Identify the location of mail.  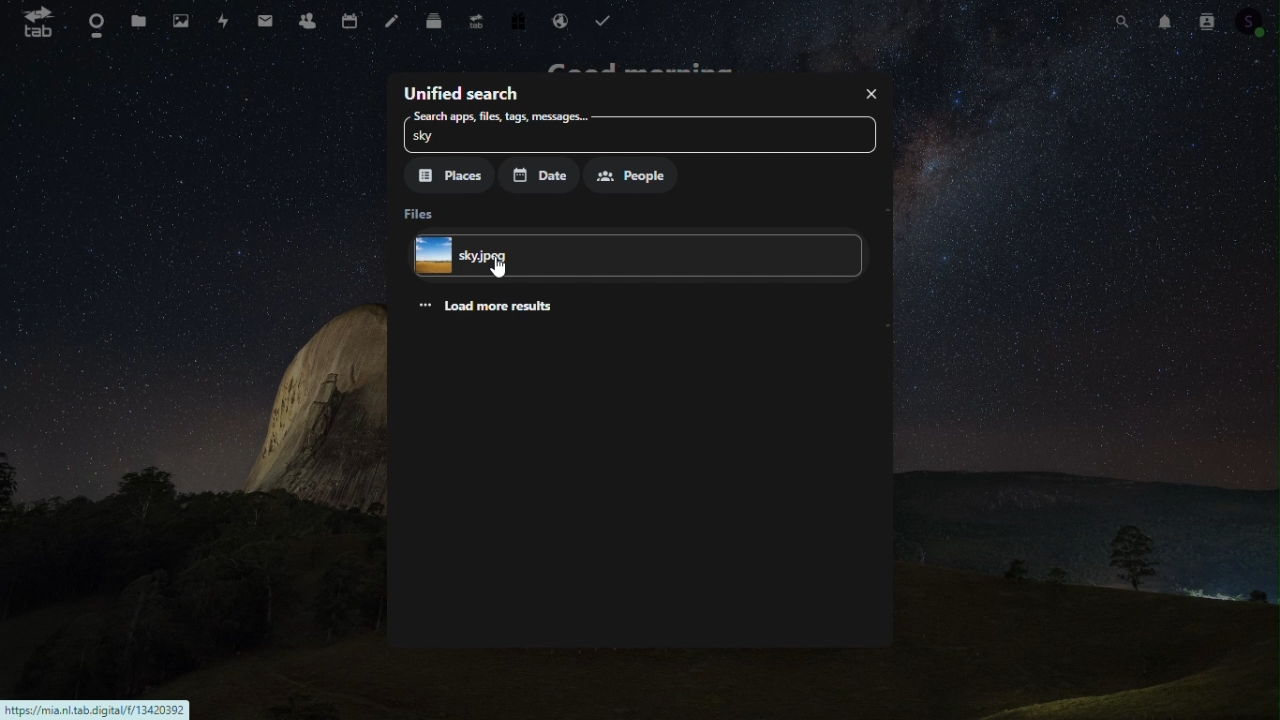
(266, 20).